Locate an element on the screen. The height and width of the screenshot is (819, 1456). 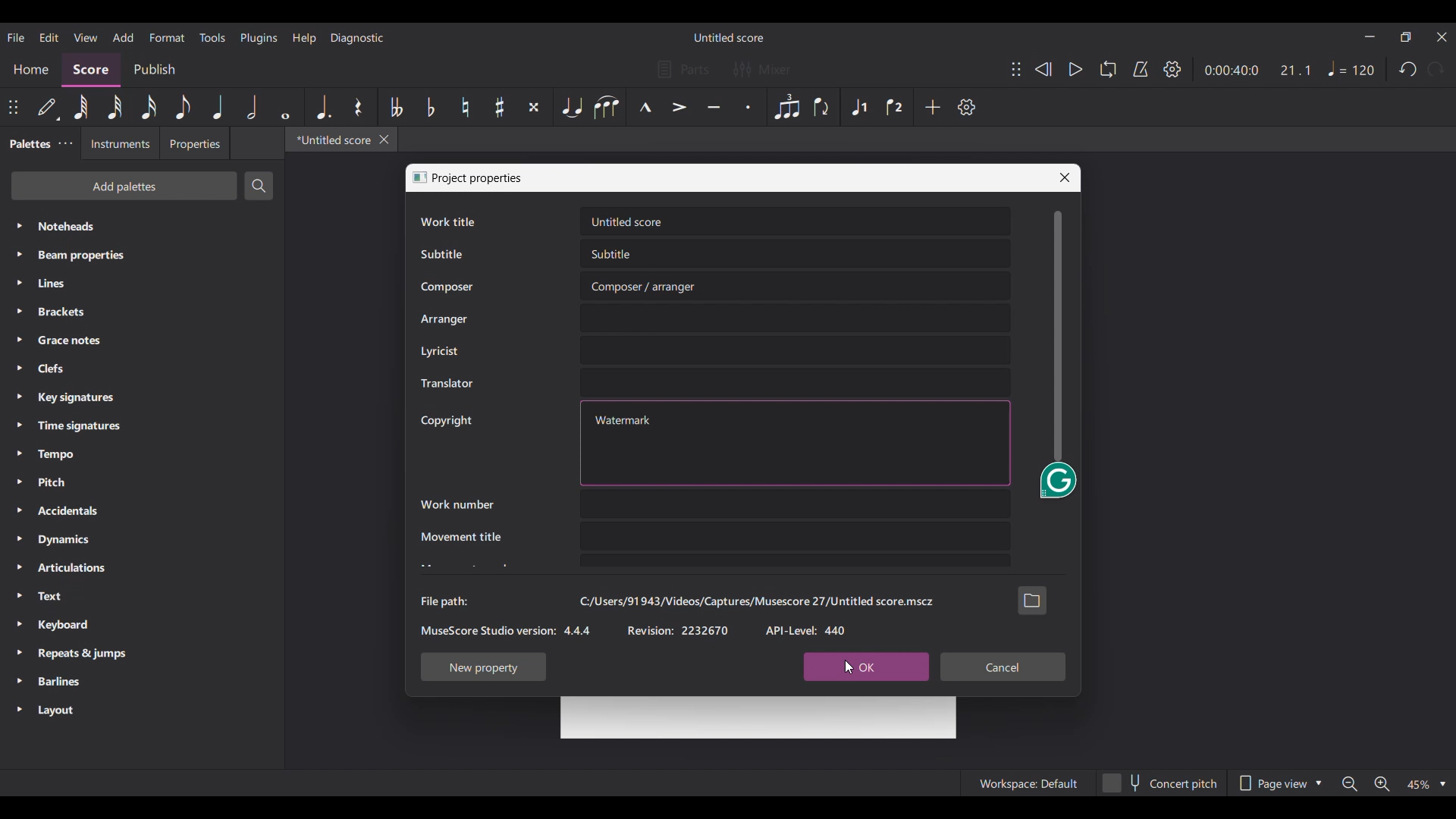
Diagnostic menu is located at coordinates (357, 38).